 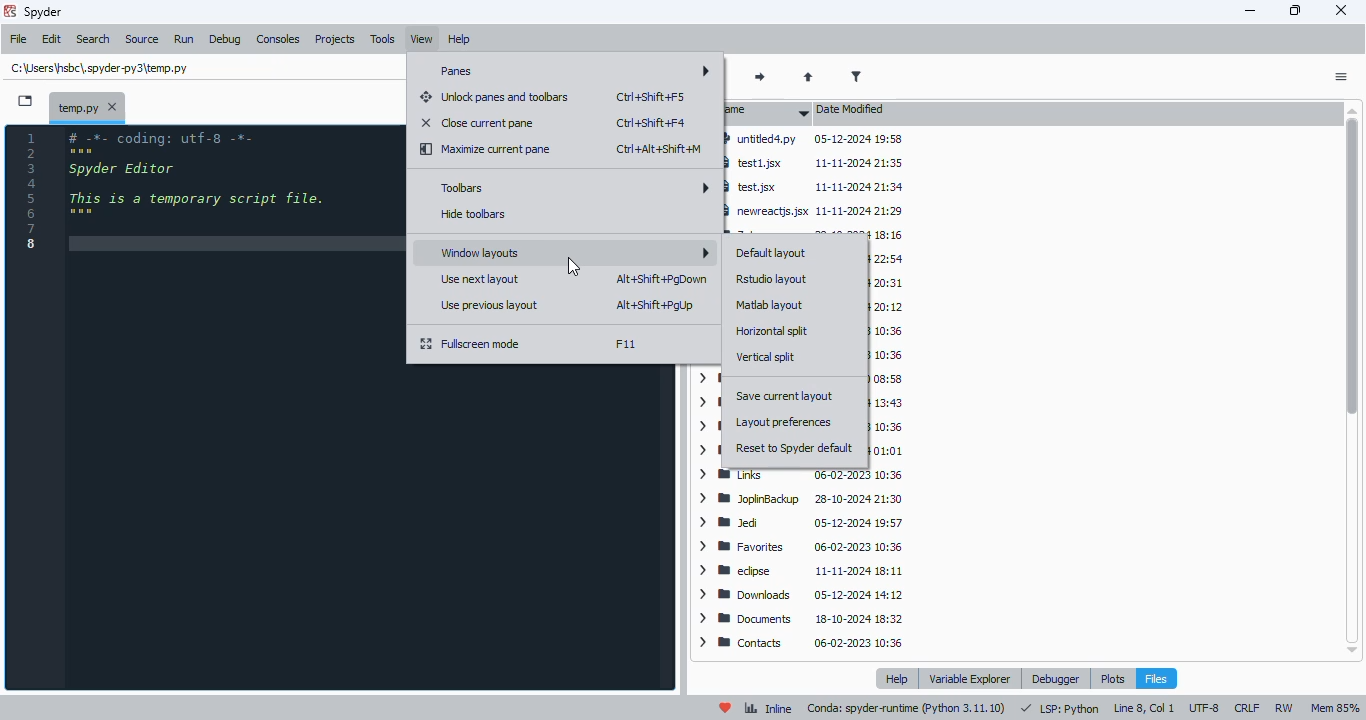 I want to click on editor, so click(x=230, y=408).